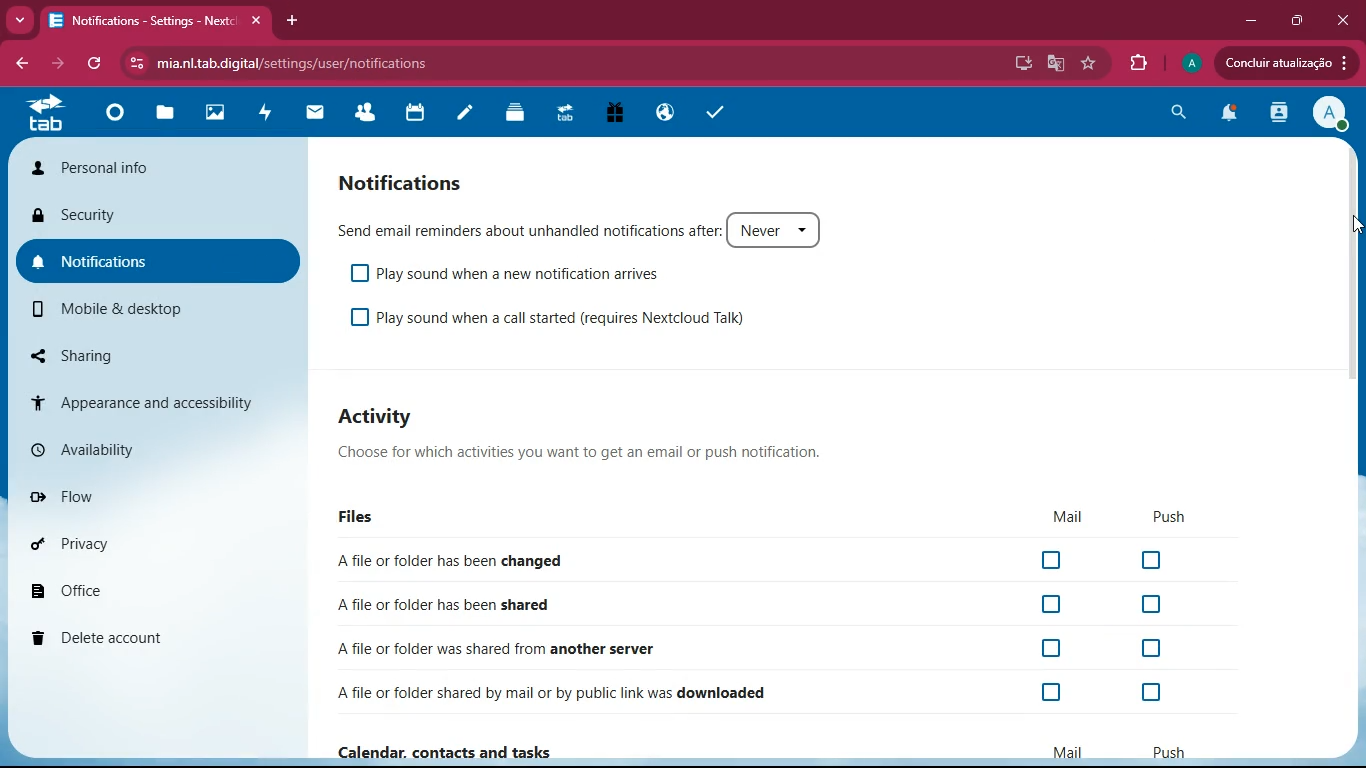 This screenshot has height=768, width=1366. Describe the element at coordinates (153, 22) in the screenshot. I see `Notifications - Settings - Nextc ` at that location.